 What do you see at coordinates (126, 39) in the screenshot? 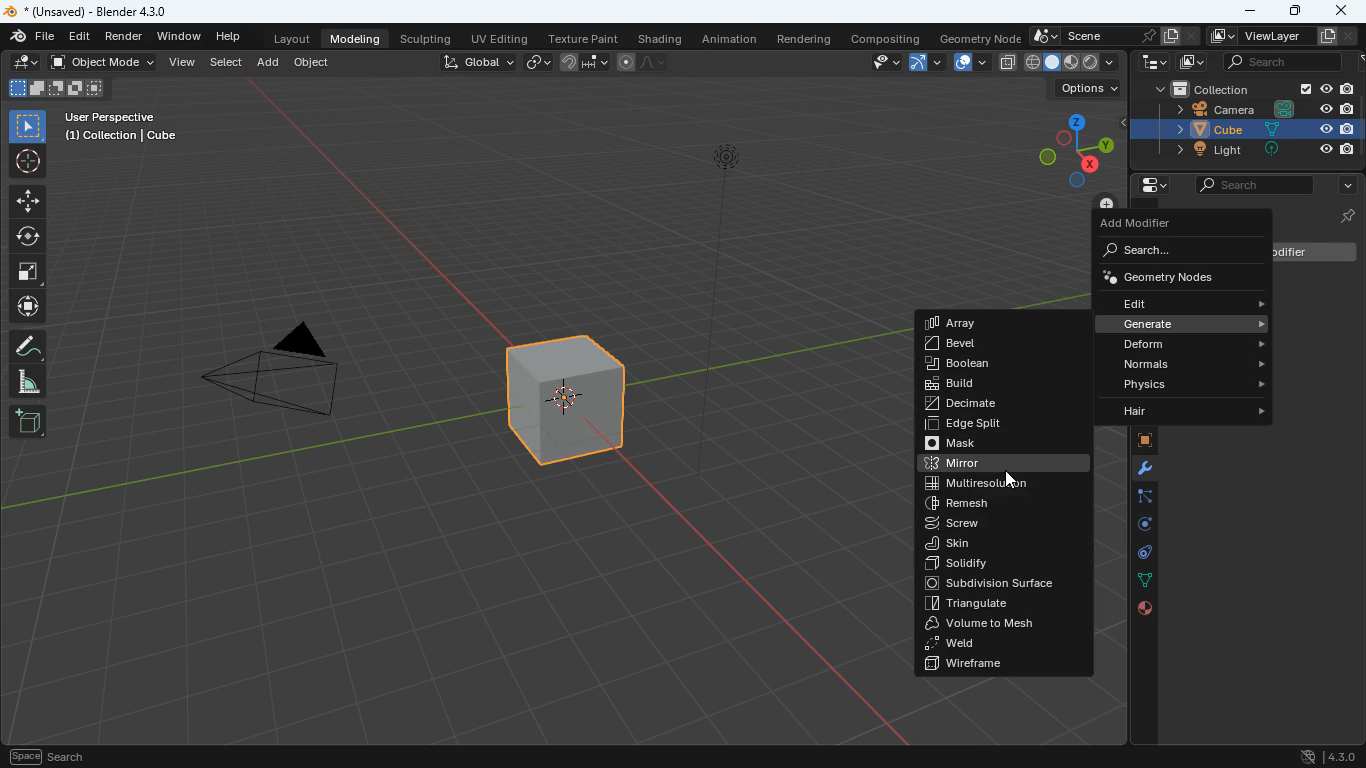
I see `render` at bounding box center [126, 39].